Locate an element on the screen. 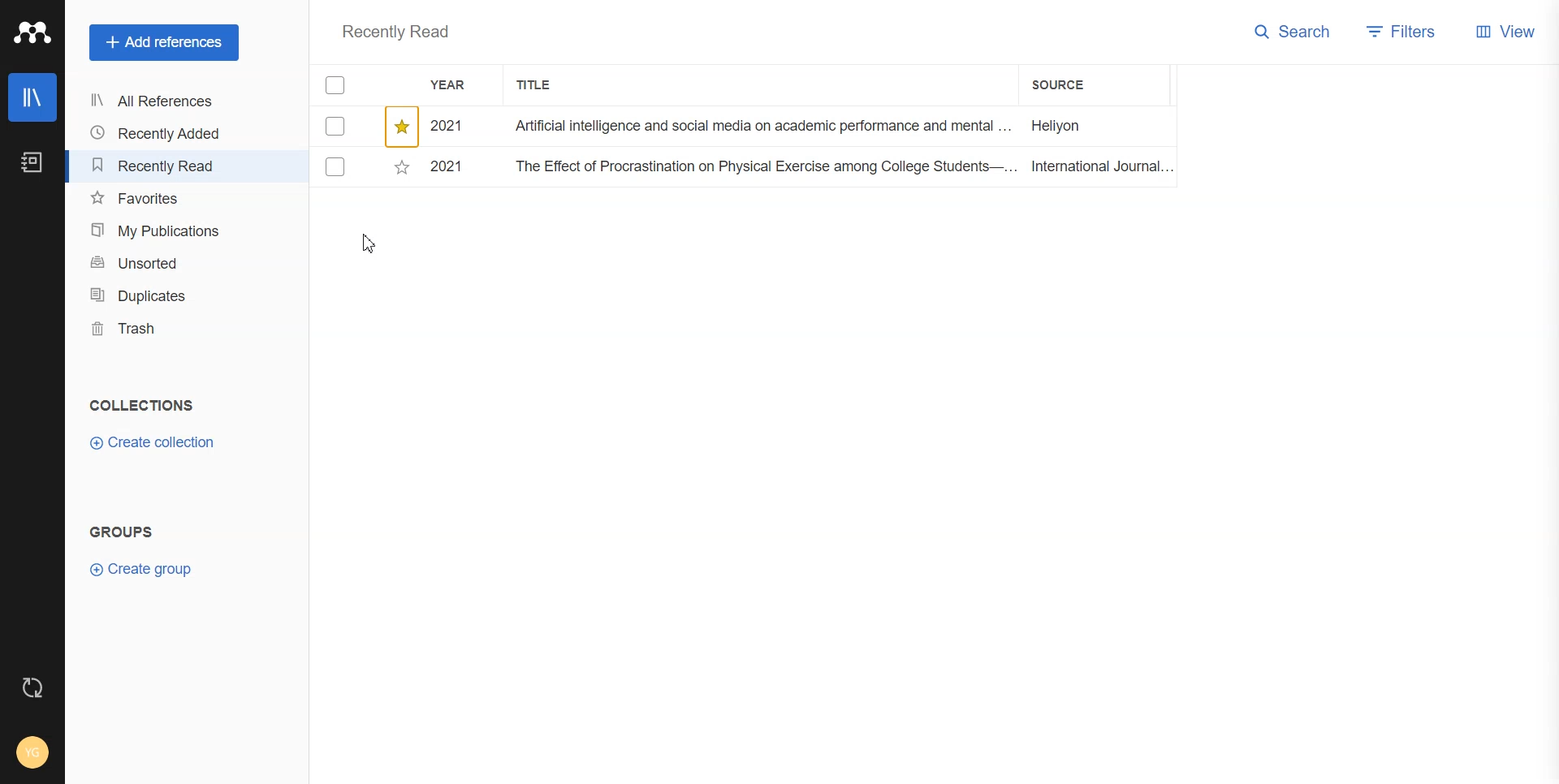 This screenshot has height=784, width=1559. Add references is located at coordinates (164, 42).